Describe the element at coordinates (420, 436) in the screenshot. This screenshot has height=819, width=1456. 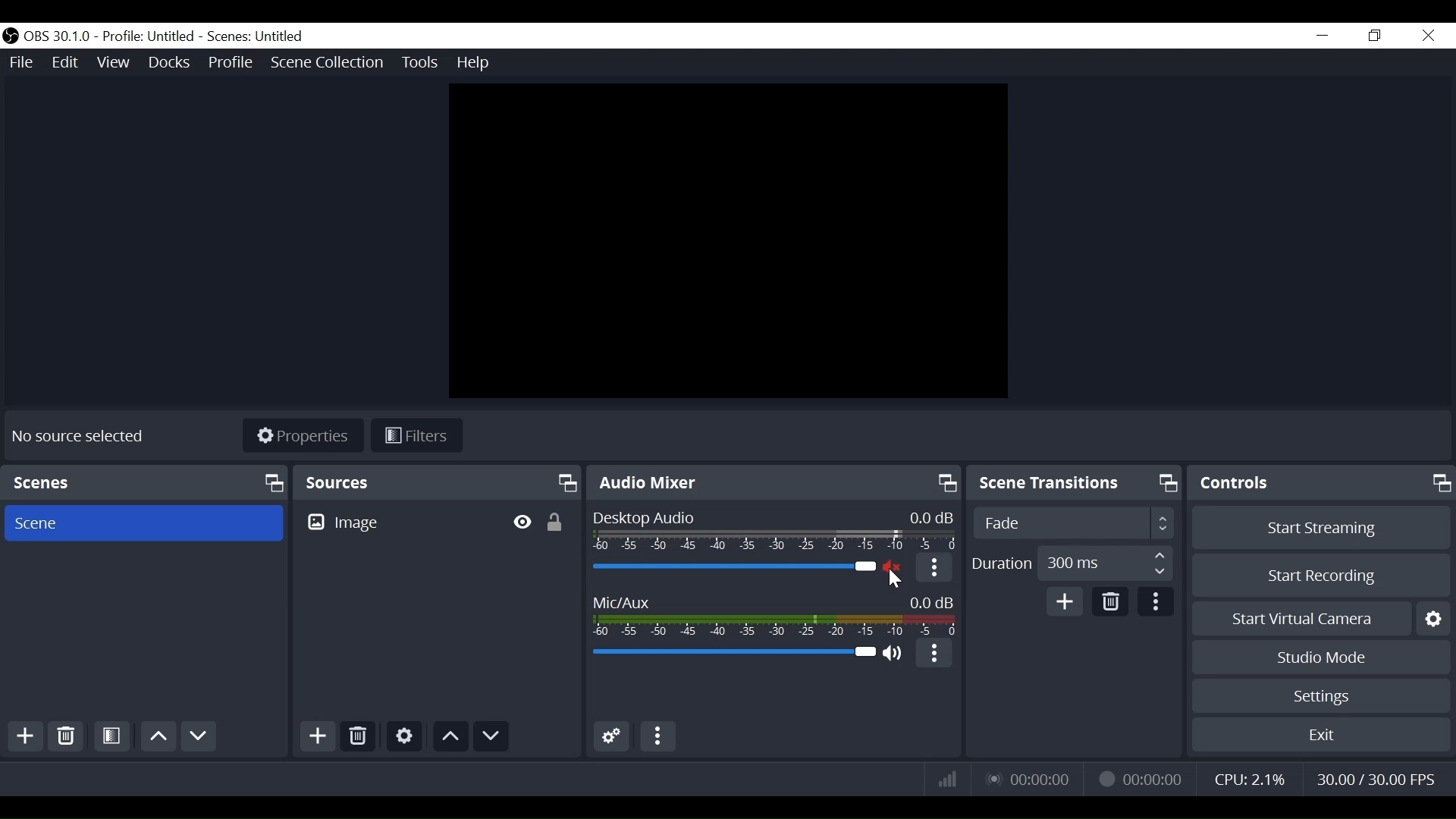
I see `Filter` at that location.